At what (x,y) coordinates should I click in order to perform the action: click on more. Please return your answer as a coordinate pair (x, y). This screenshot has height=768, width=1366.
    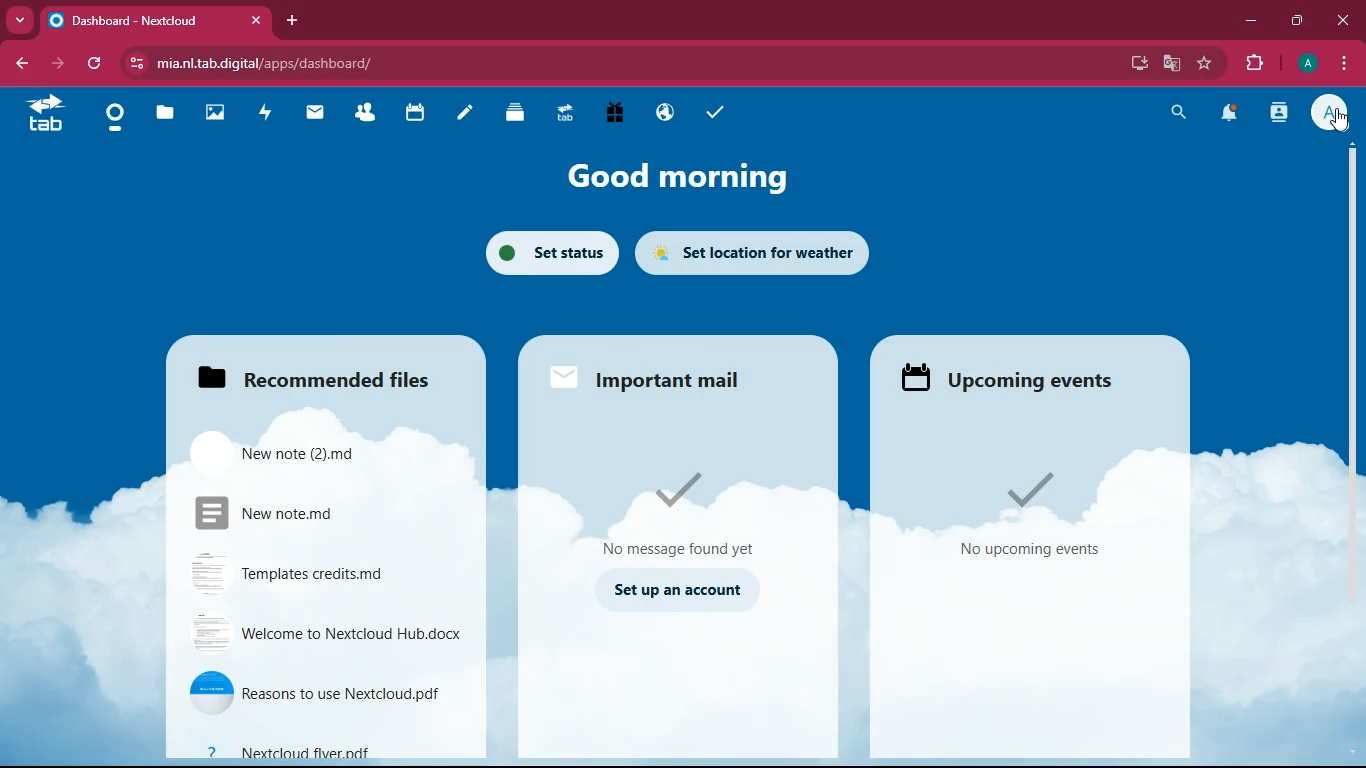
    Looking at the image, I should click on (20, 20).